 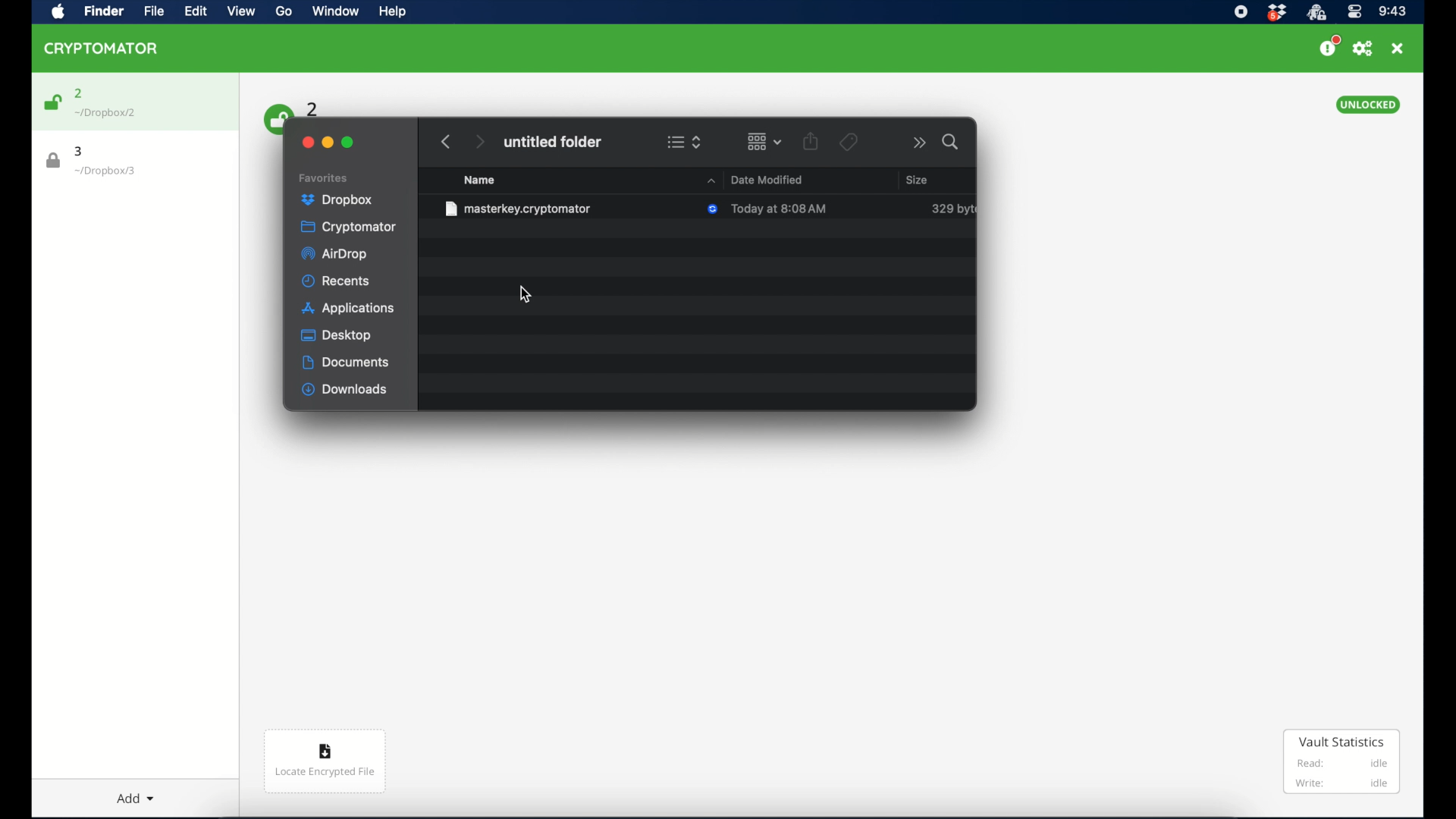 What do you see at coordinates (1329, 46) in the screenshot?
I see `support us` at bounding box center [1329, 46].